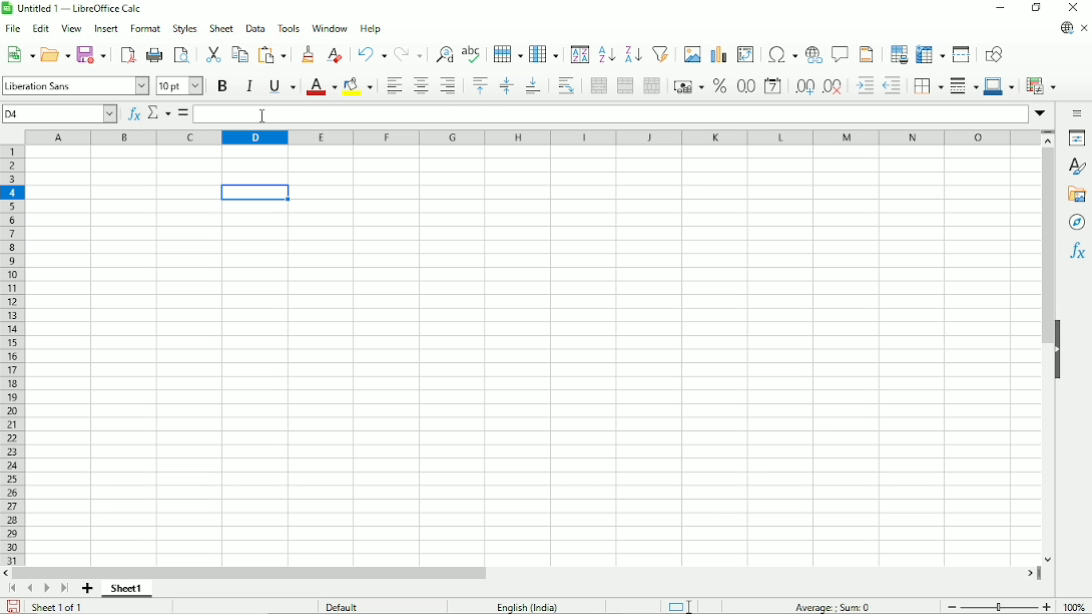 This screenshot has width=1092, height=614. What do you see at coordinates (580, 53) in the screenshot?
I see `Sort` at bounding box center [580, 53].